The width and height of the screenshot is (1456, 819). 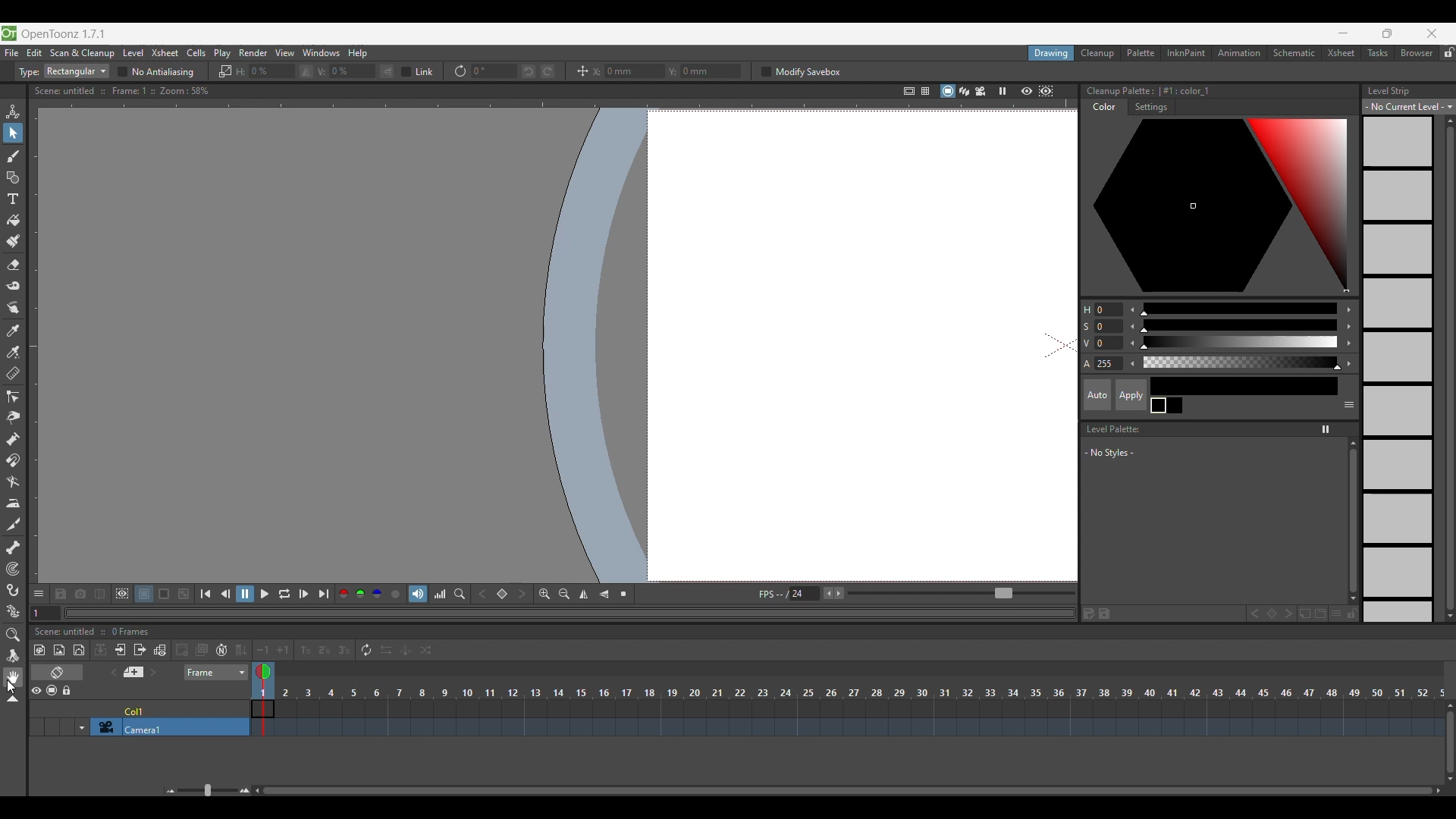 What do you see at coordinates (1097, 53) in the screenshot?
I see `Cleanup` at bounding box center [1097, 53].